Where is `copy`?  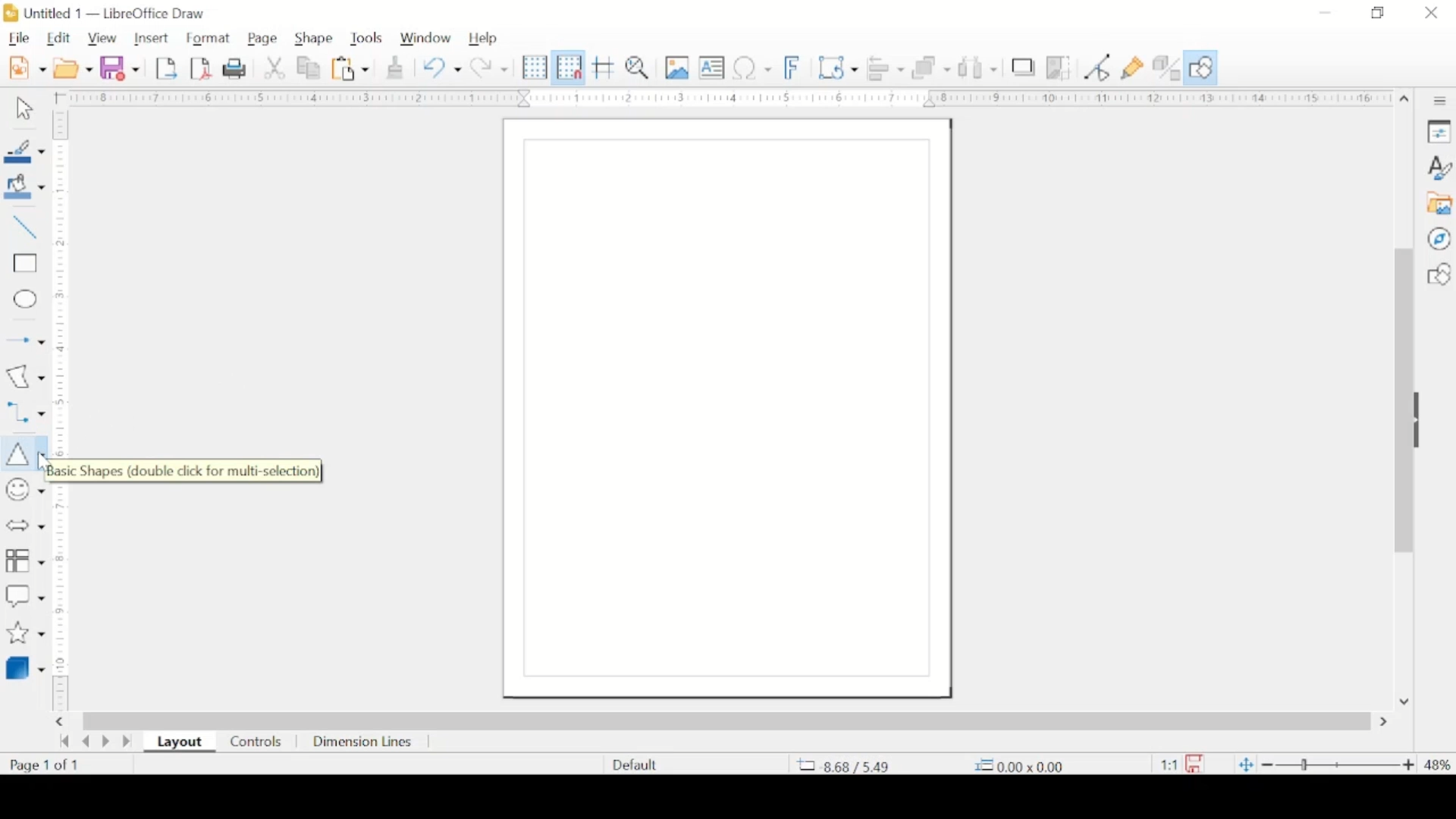 copy is located at coordinates (310, 69).